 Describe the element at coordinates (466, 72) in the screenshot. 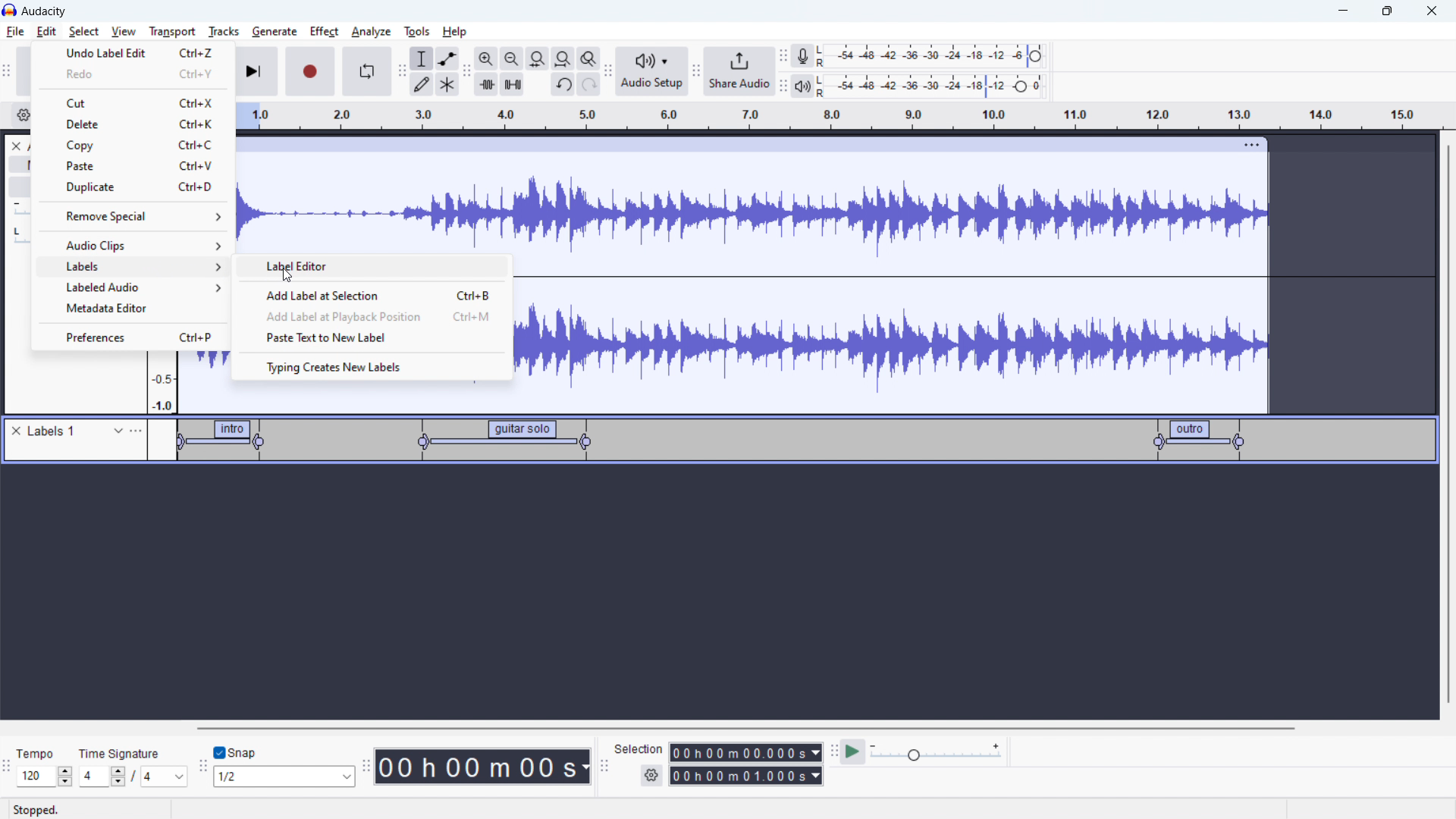

I see `edit toolbar` at that location.